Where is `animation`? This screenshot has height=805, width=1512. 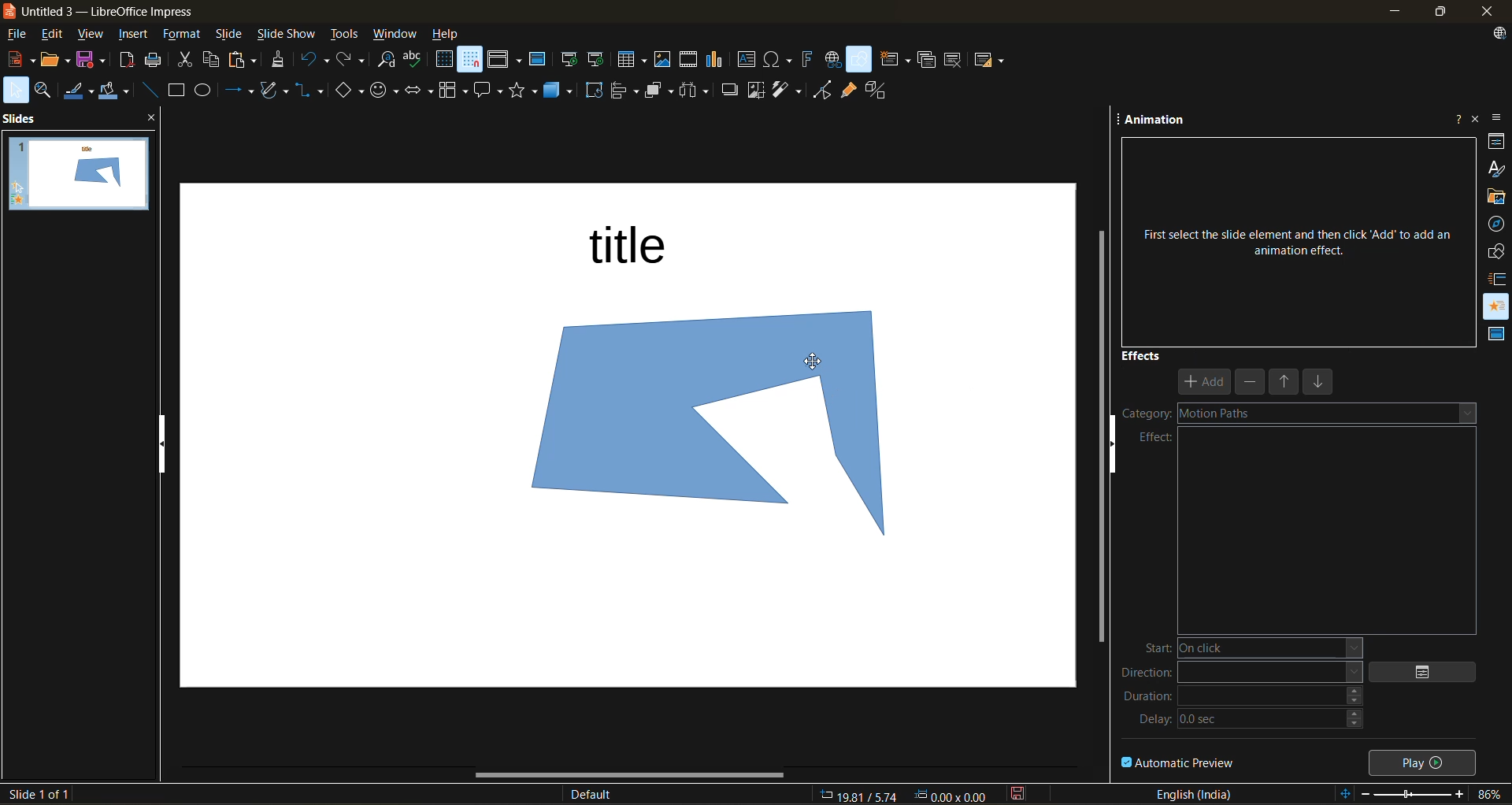 animation is located at coordinates (1492, 304).